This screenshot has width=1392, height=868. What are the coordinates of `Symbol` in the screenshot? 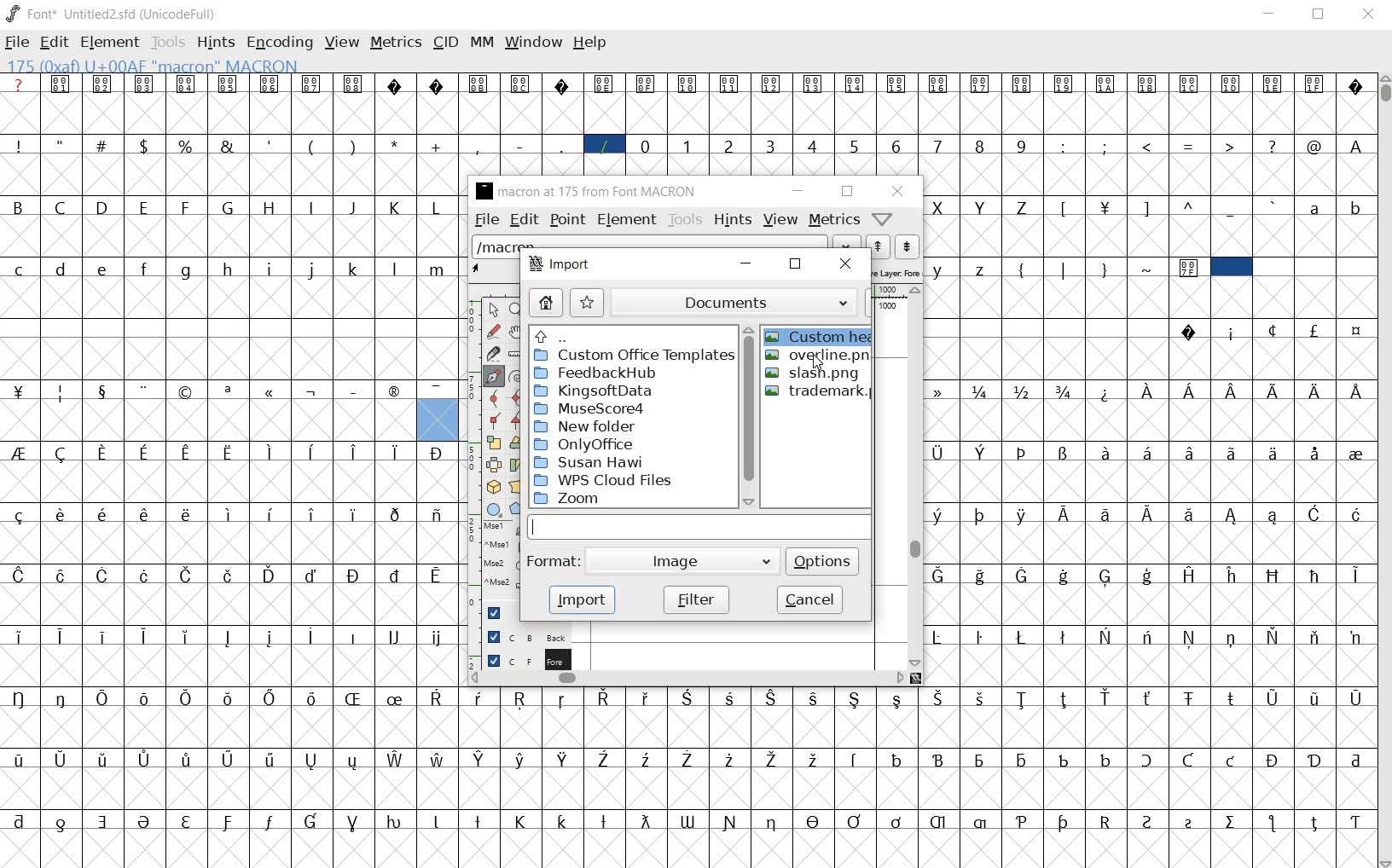 It's located at (482, 819).